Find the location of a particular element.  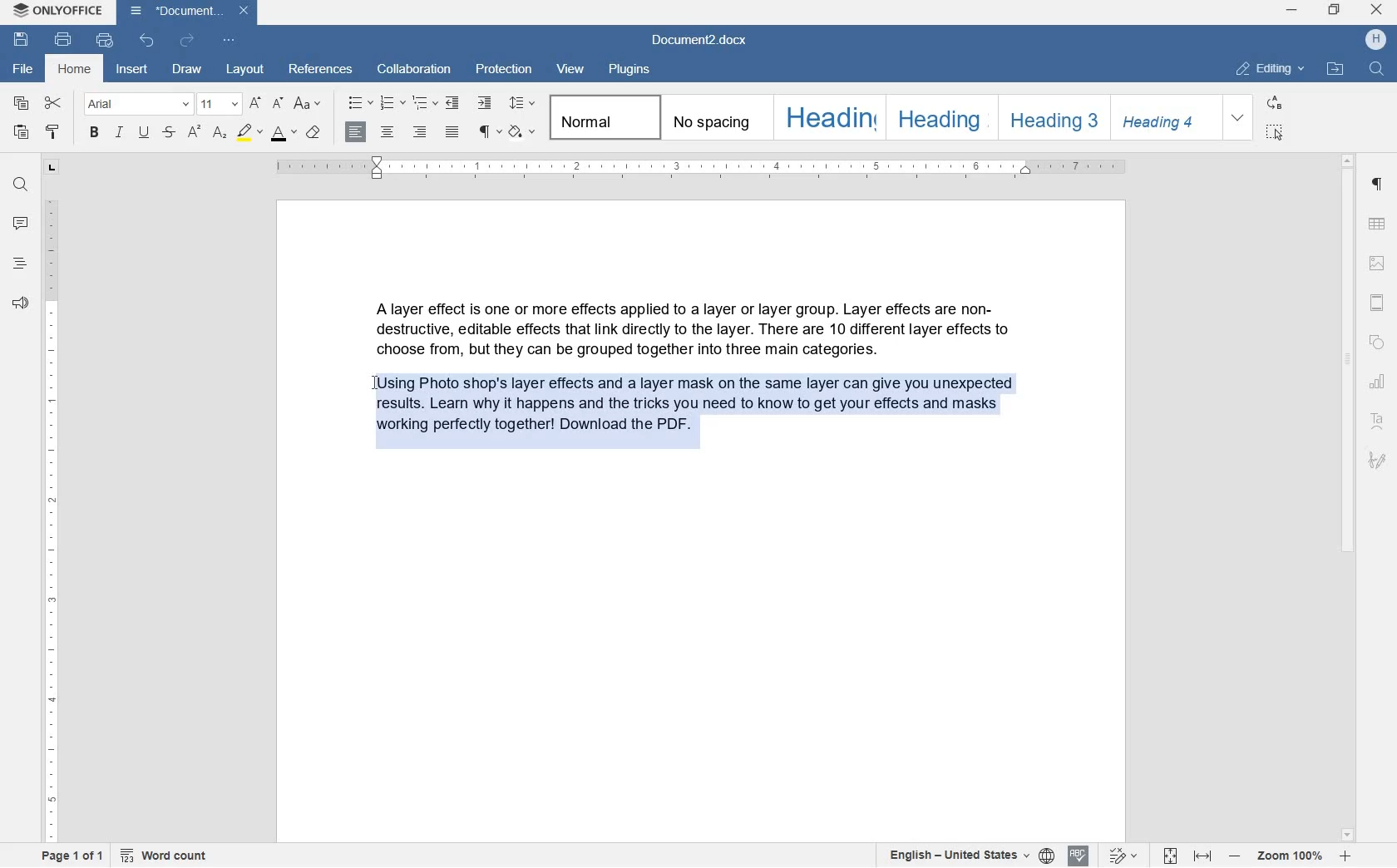

HEADING 1 is located at coordinates (827, 118).